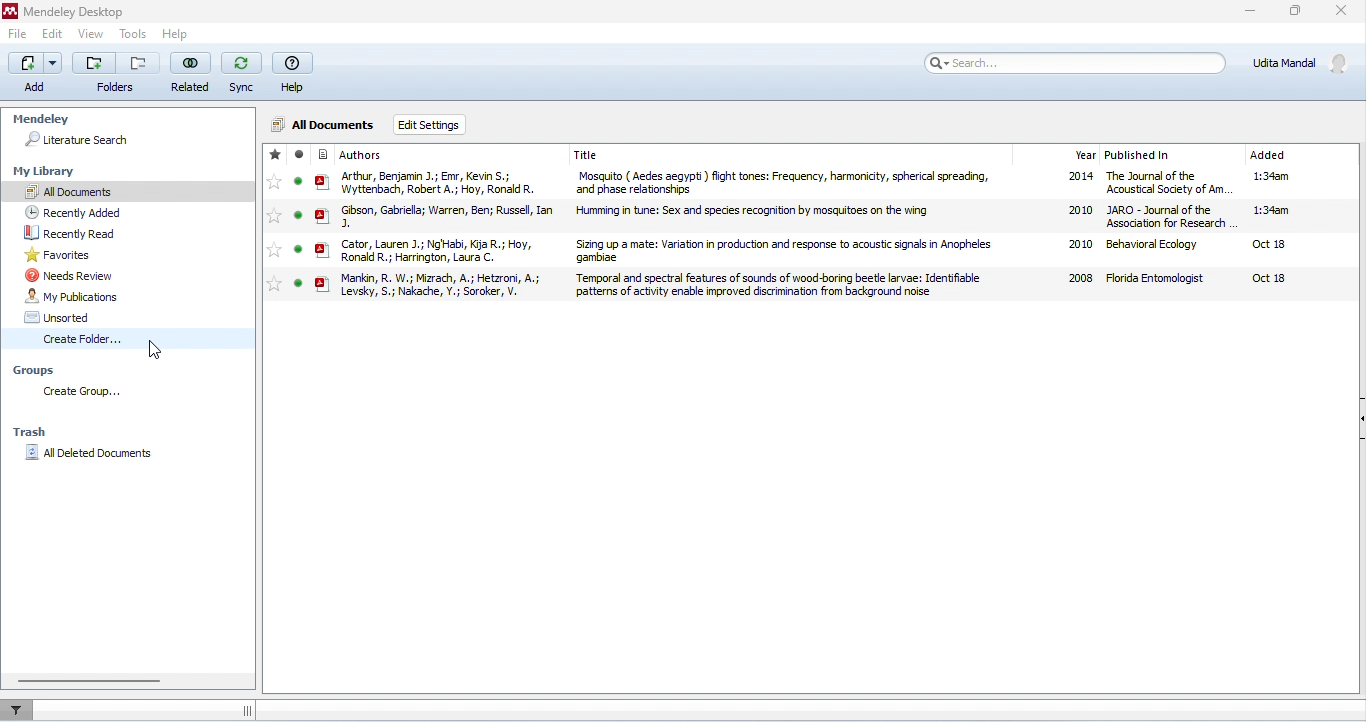  I want to click on mark as read, so click(297, 283).